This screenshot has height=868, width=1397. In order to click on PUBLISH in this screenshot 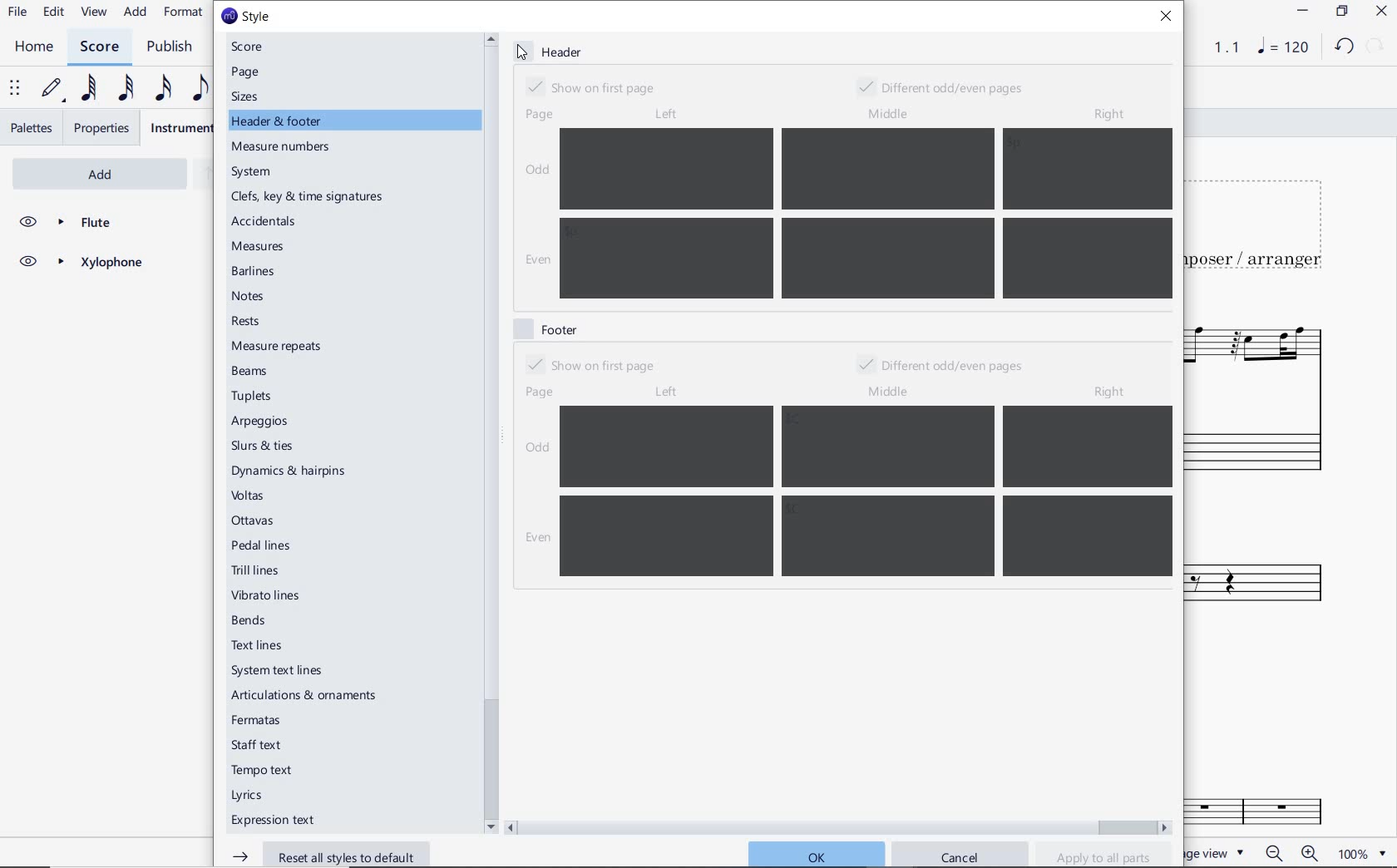, I will do `click(174, 47)`.